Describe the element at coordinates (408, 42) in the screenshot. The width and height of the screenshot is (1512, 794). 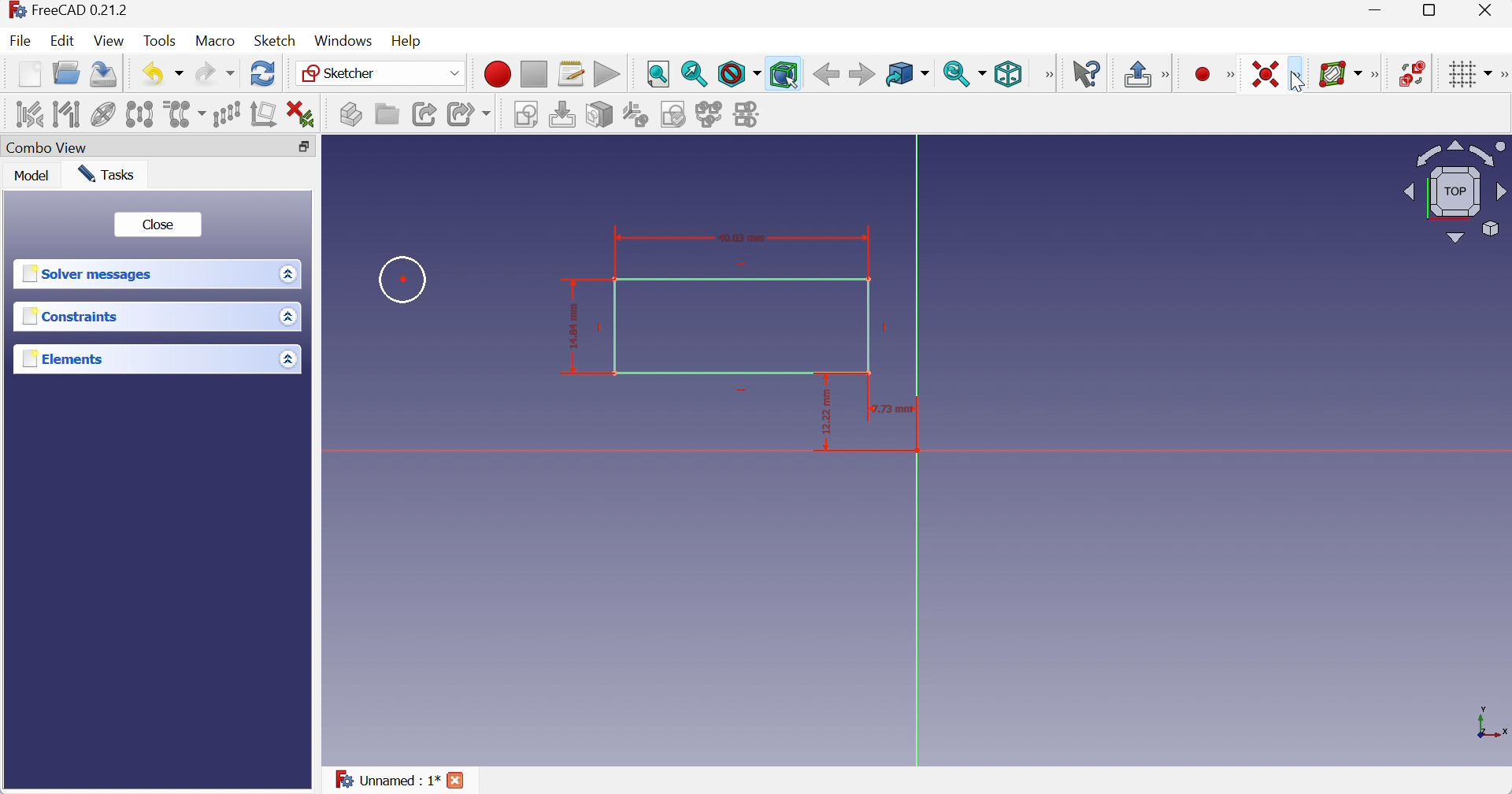
I see `Help` at that location.